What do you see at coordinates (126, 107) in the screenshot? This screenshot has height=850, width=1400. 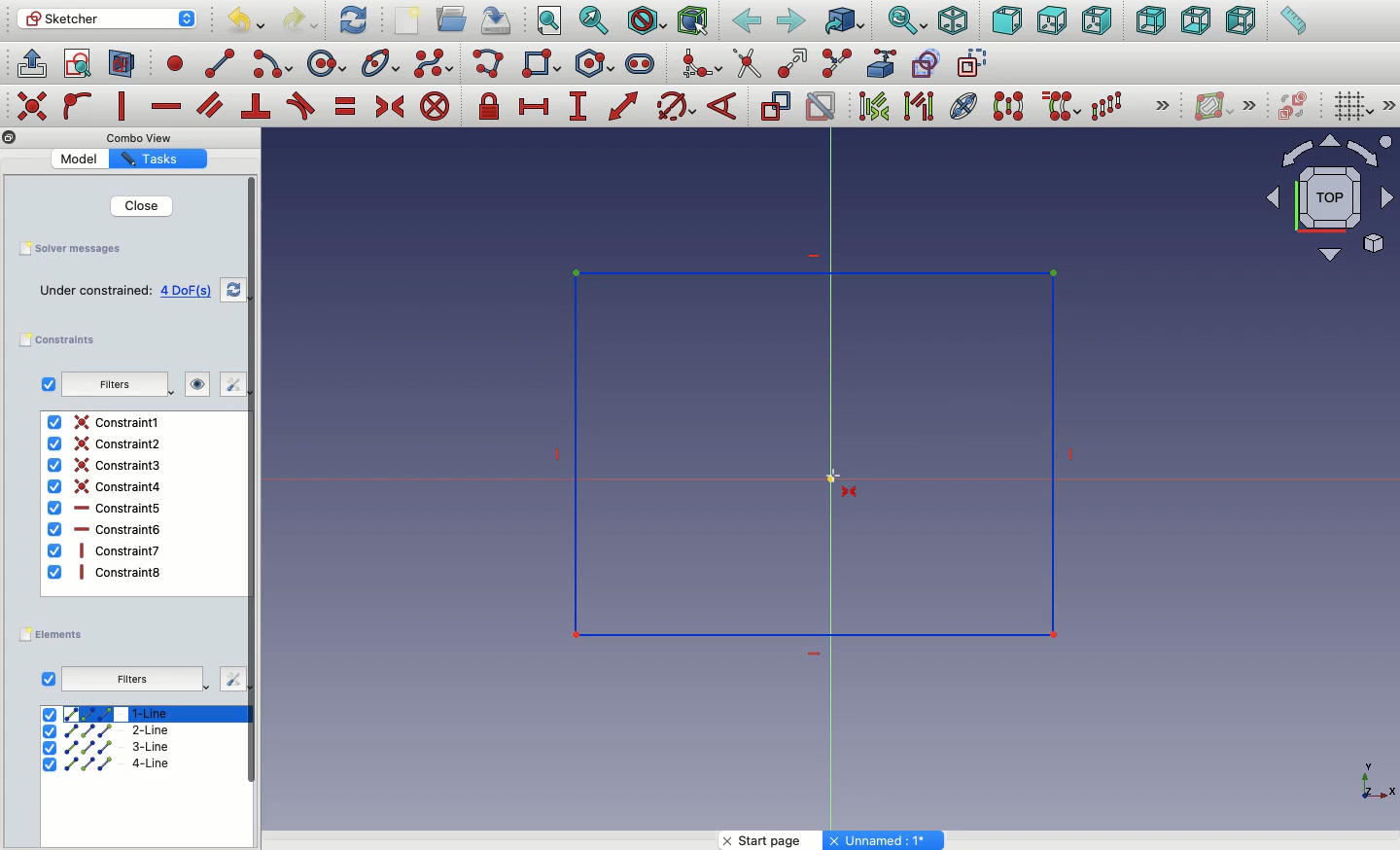 I see `constrain vertically ` at bounding box center [126, 107].